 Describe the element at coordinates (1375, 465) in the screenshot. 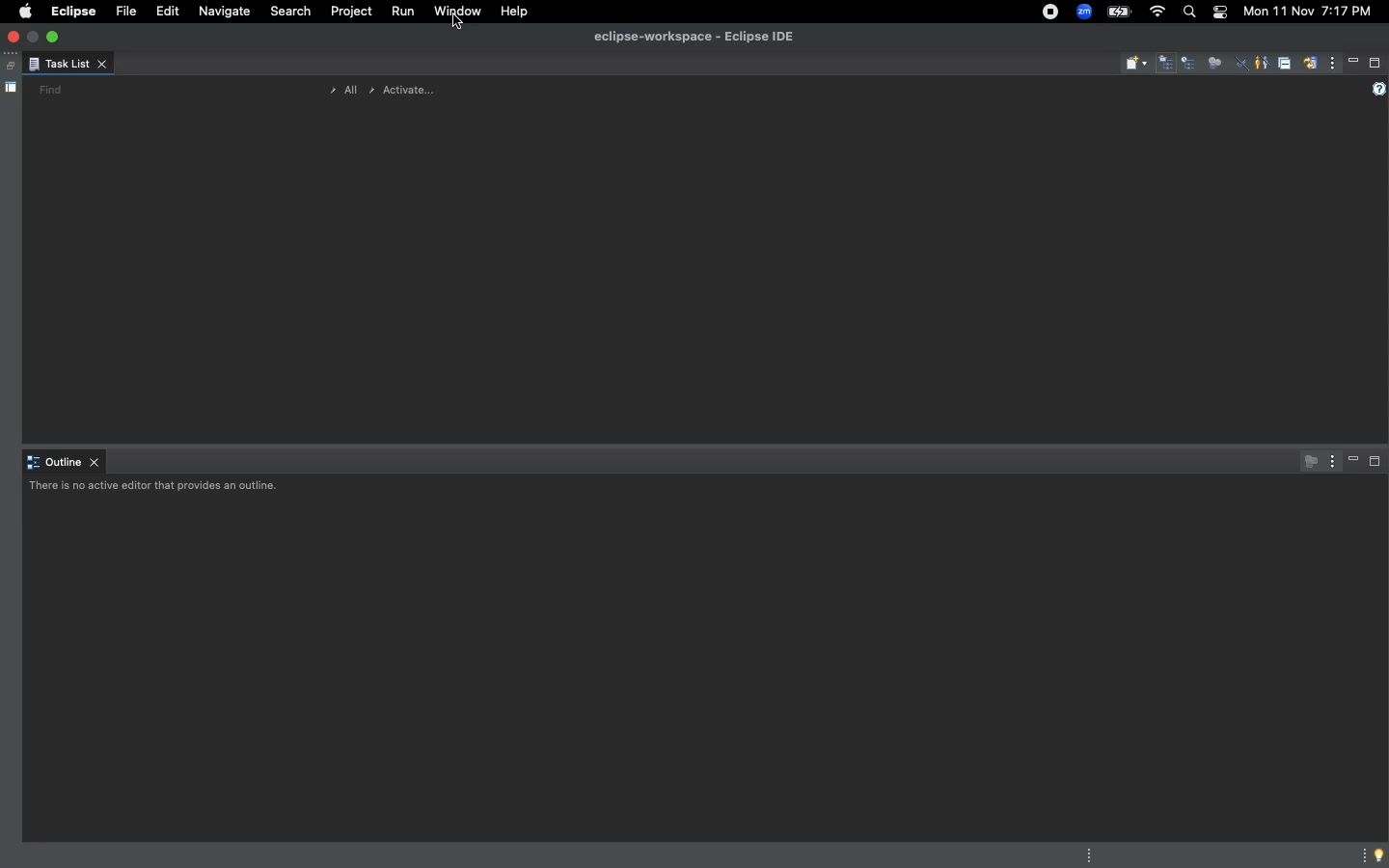

I see `Maximize` at that location.